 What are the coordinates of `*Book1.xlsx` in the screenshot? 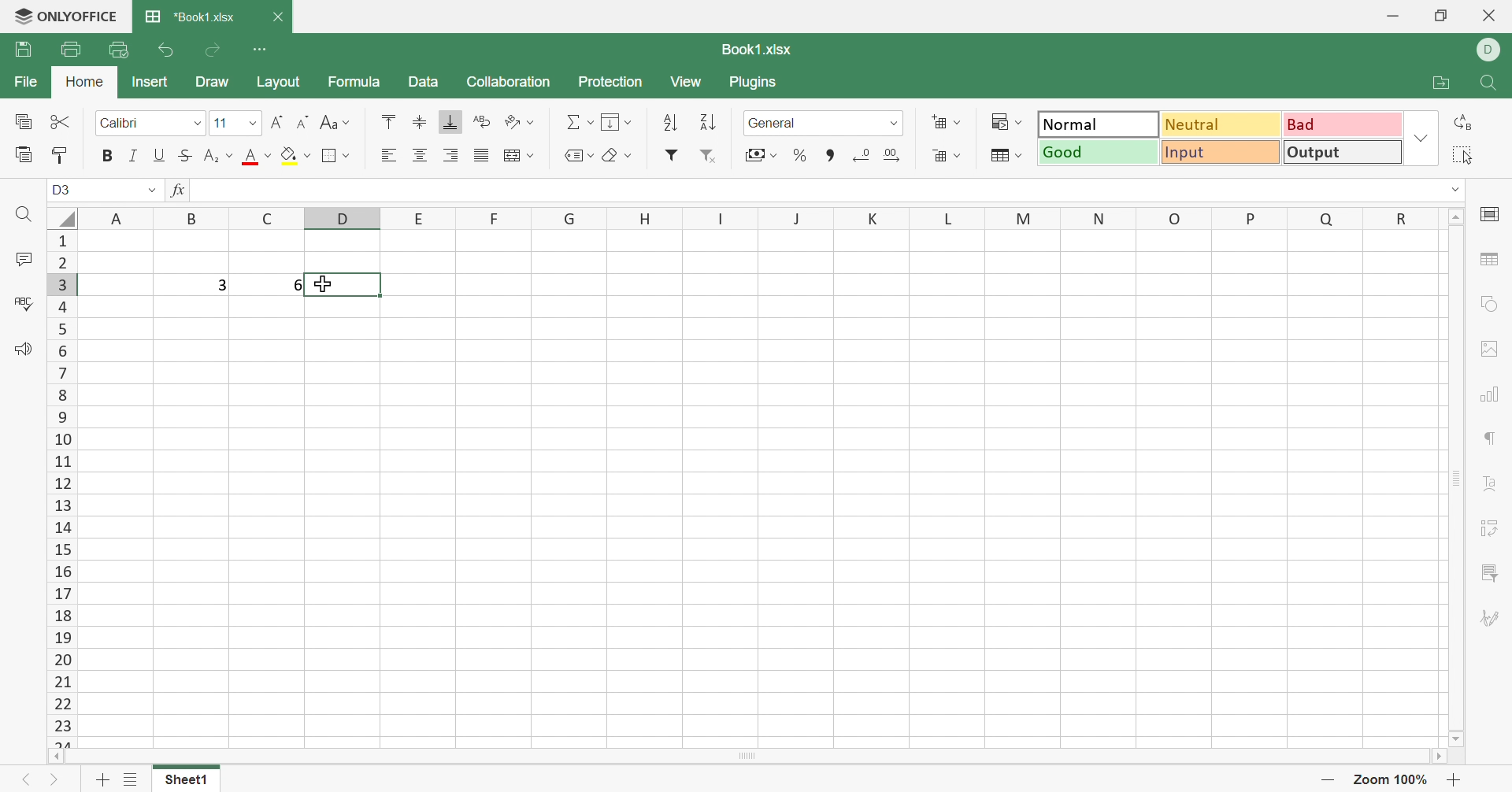 It's located at (194, 17).